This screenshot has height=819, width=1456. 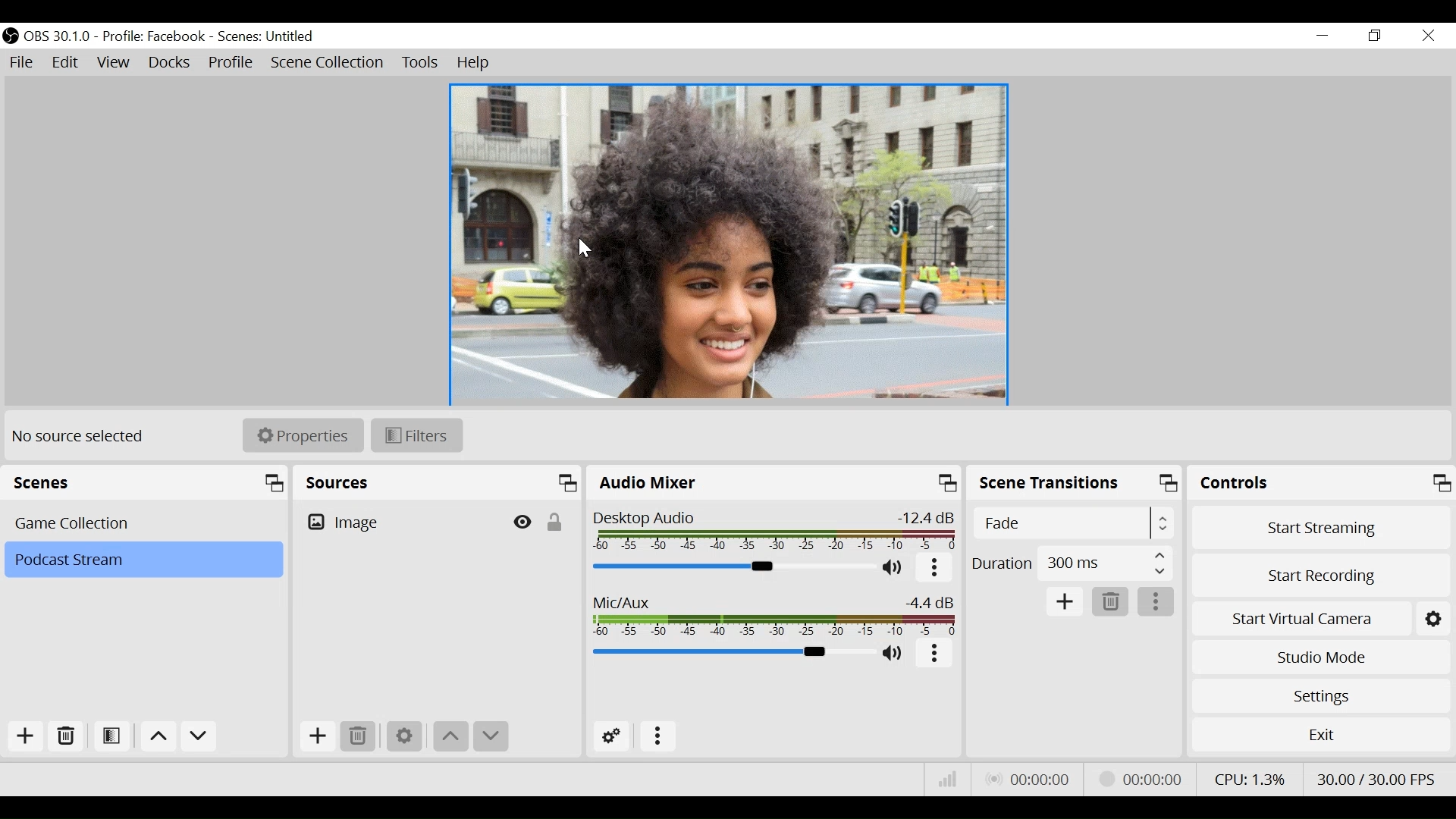 What do you see at coordinates (145, 523) in the screenshot?
I see `Scenes` at bounding box center [145, 523].